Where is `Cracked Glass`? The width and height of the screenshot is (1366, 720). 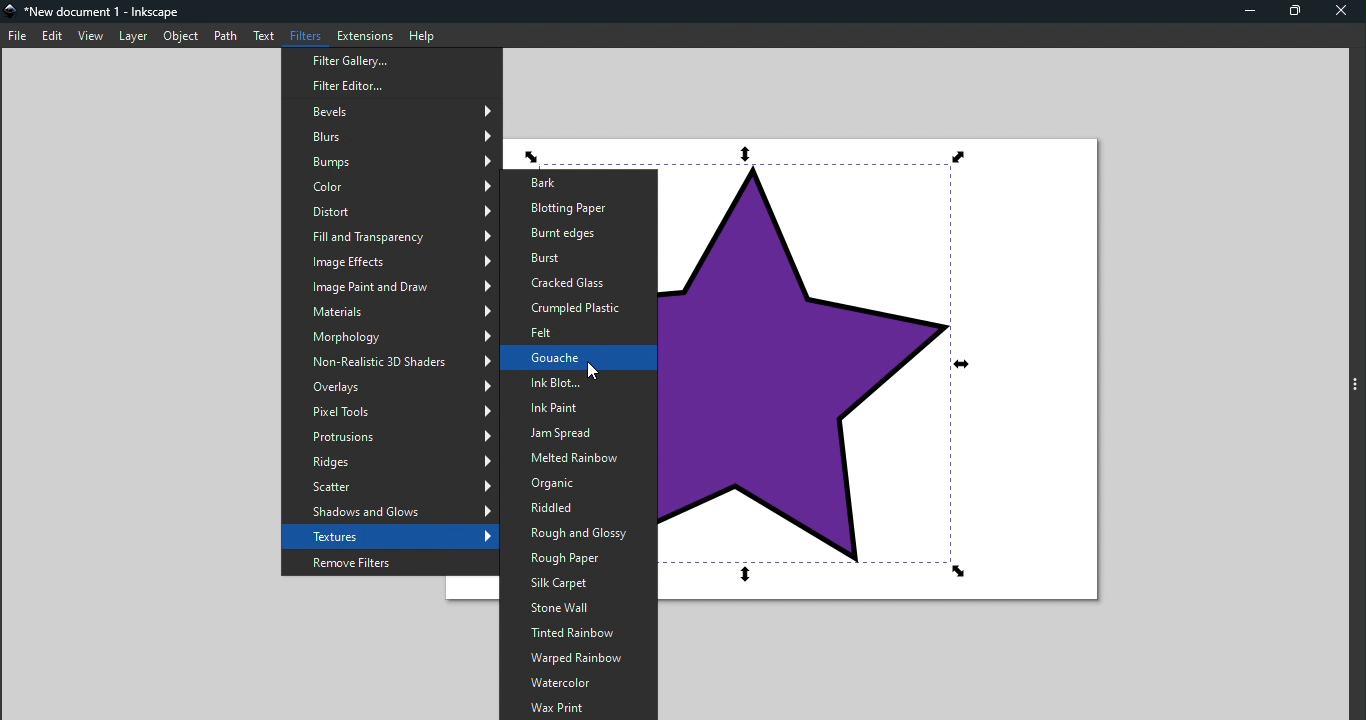
Cracked Glass is located at coordinates (579, 282).